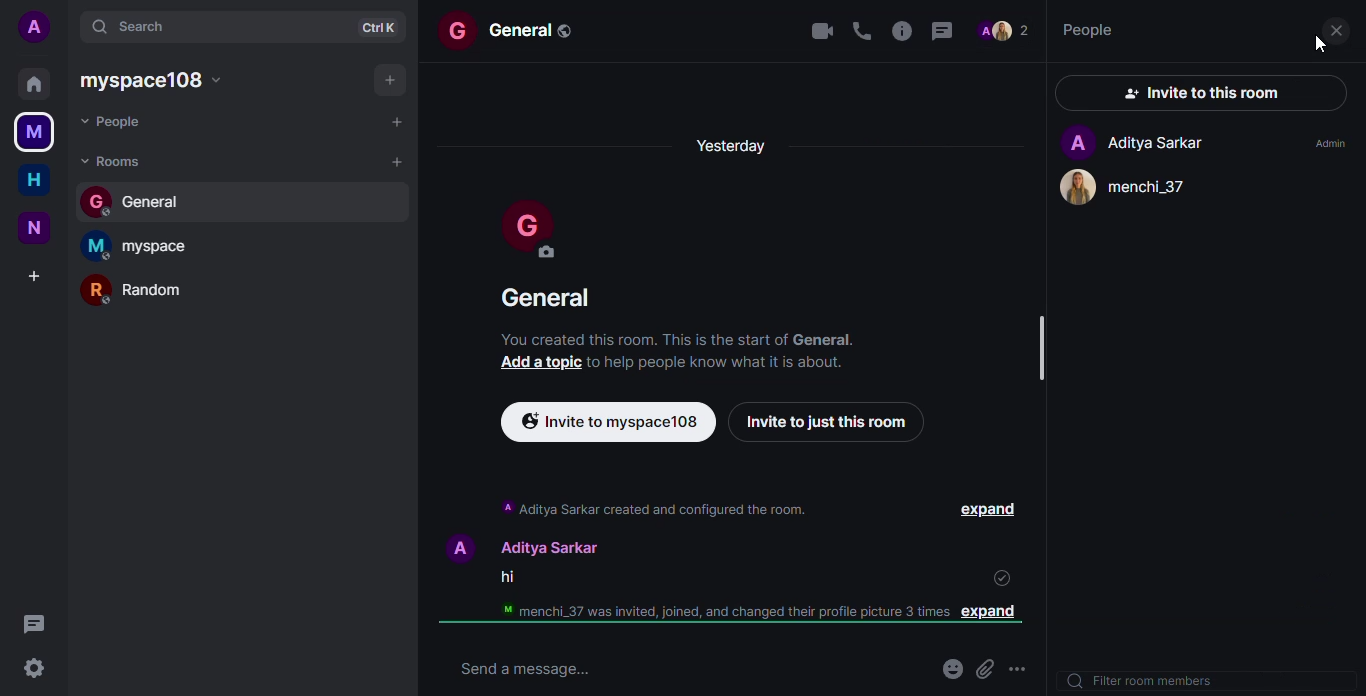  Describe the element at coordinates (724, 612) in the screenshot. I see `™ menchi_37 was invited, joined, and changed their profile picture 3 times` at that location.